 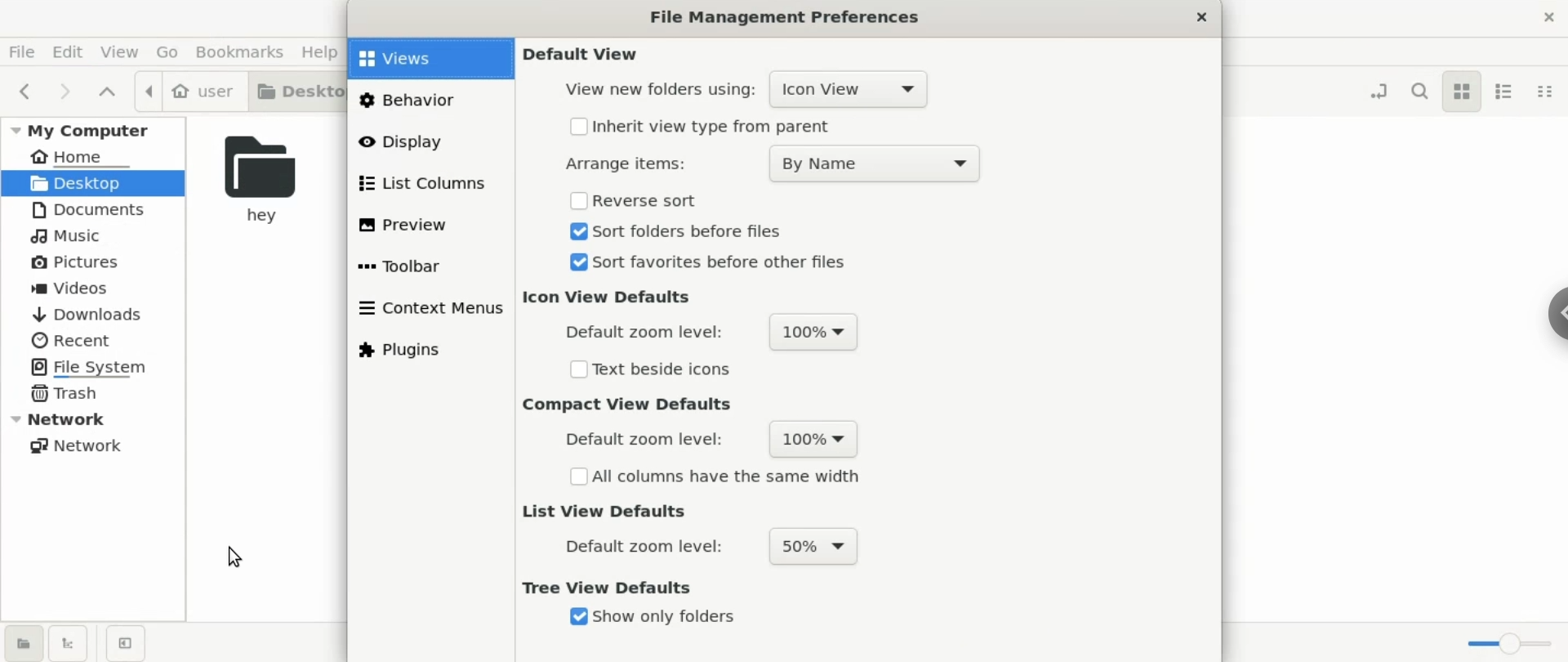 I want to click on plugins, so click(x=397, y=348).